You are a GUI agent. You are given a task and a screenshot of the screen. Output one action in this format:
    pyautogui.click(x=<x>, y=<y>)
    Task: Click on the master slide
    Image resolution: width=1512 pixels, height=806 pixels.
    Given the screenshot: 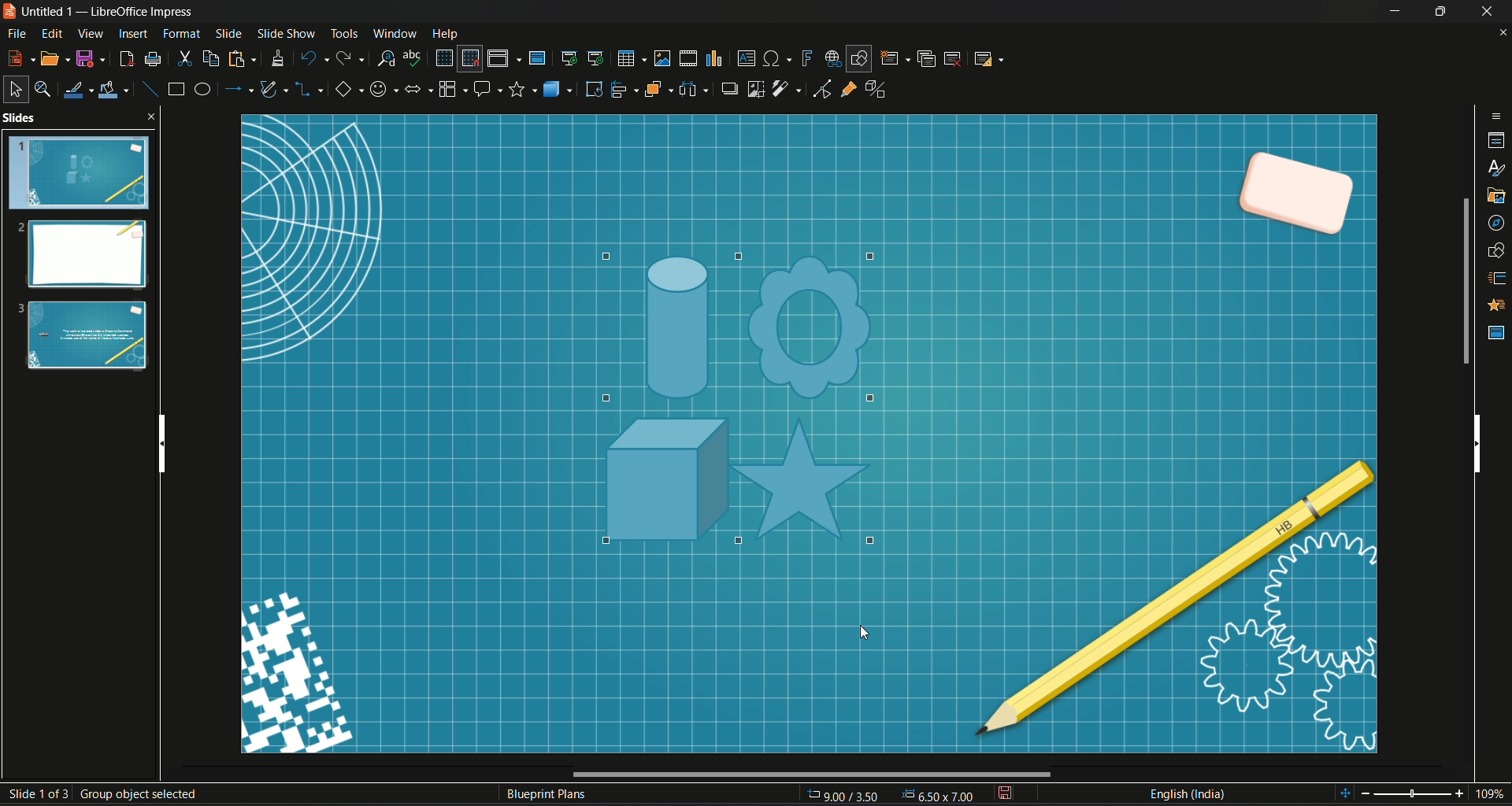 What is the action you would take?
    pyautogui.click(x=536, y=57)
    